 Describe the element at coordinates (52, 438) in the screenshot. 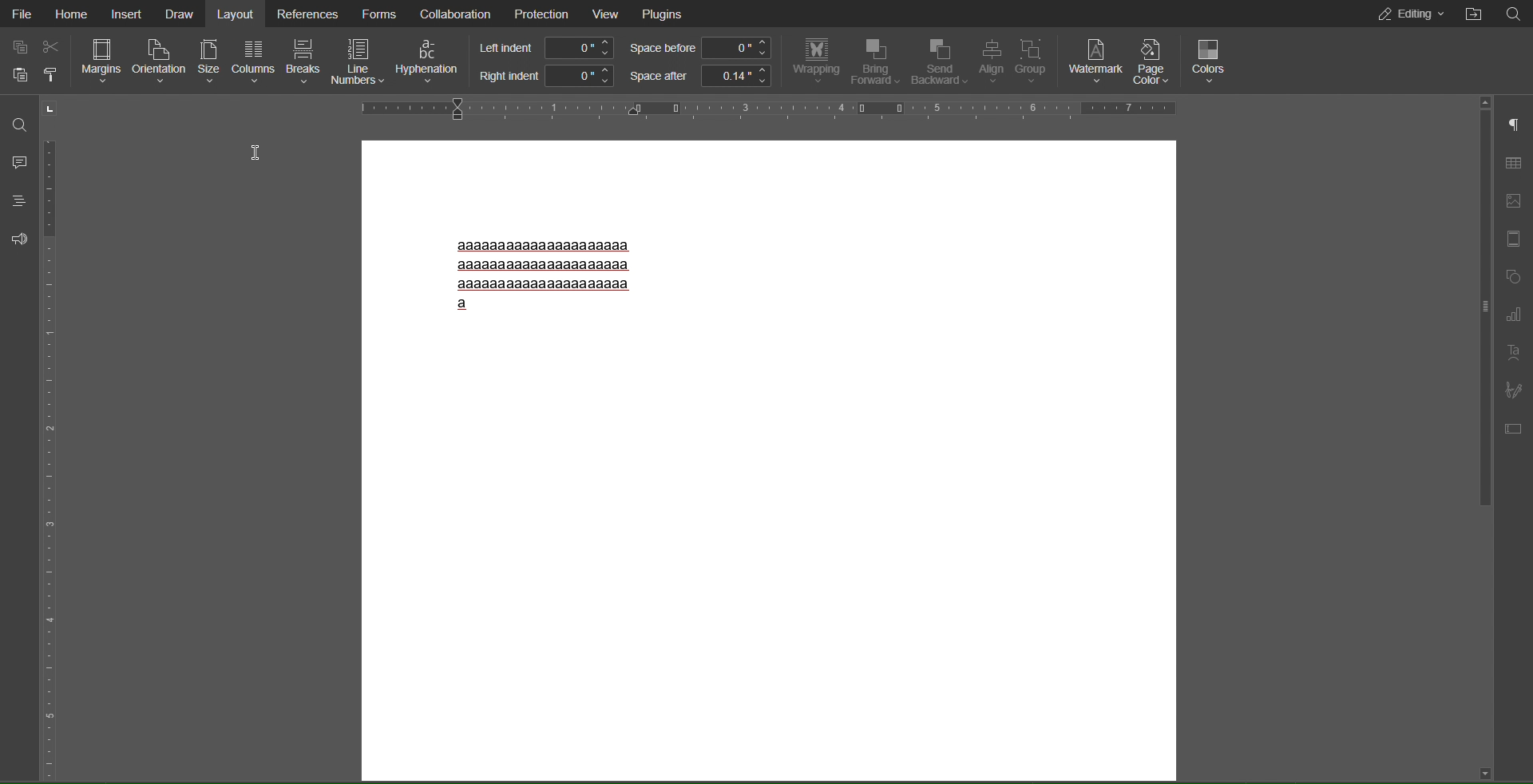

I see `Vertical Ruler` at that location.